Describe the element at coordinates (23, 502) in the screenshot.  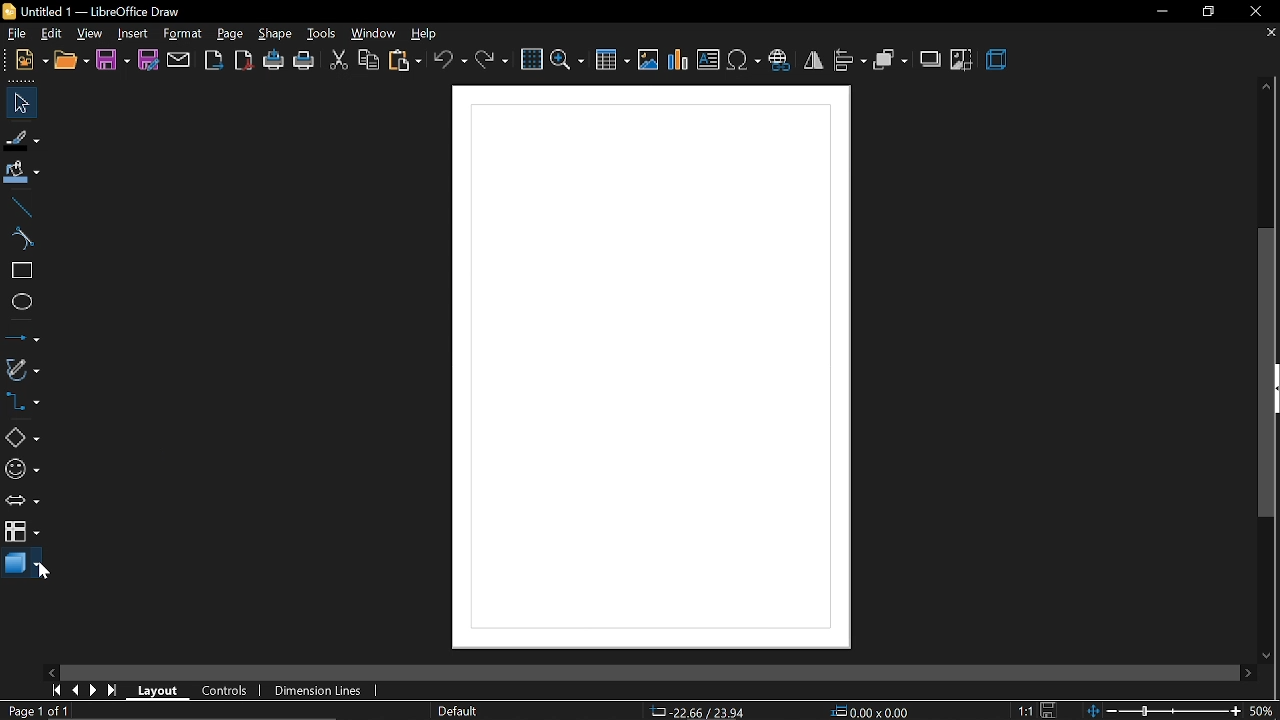
I see `arrows` at that location.